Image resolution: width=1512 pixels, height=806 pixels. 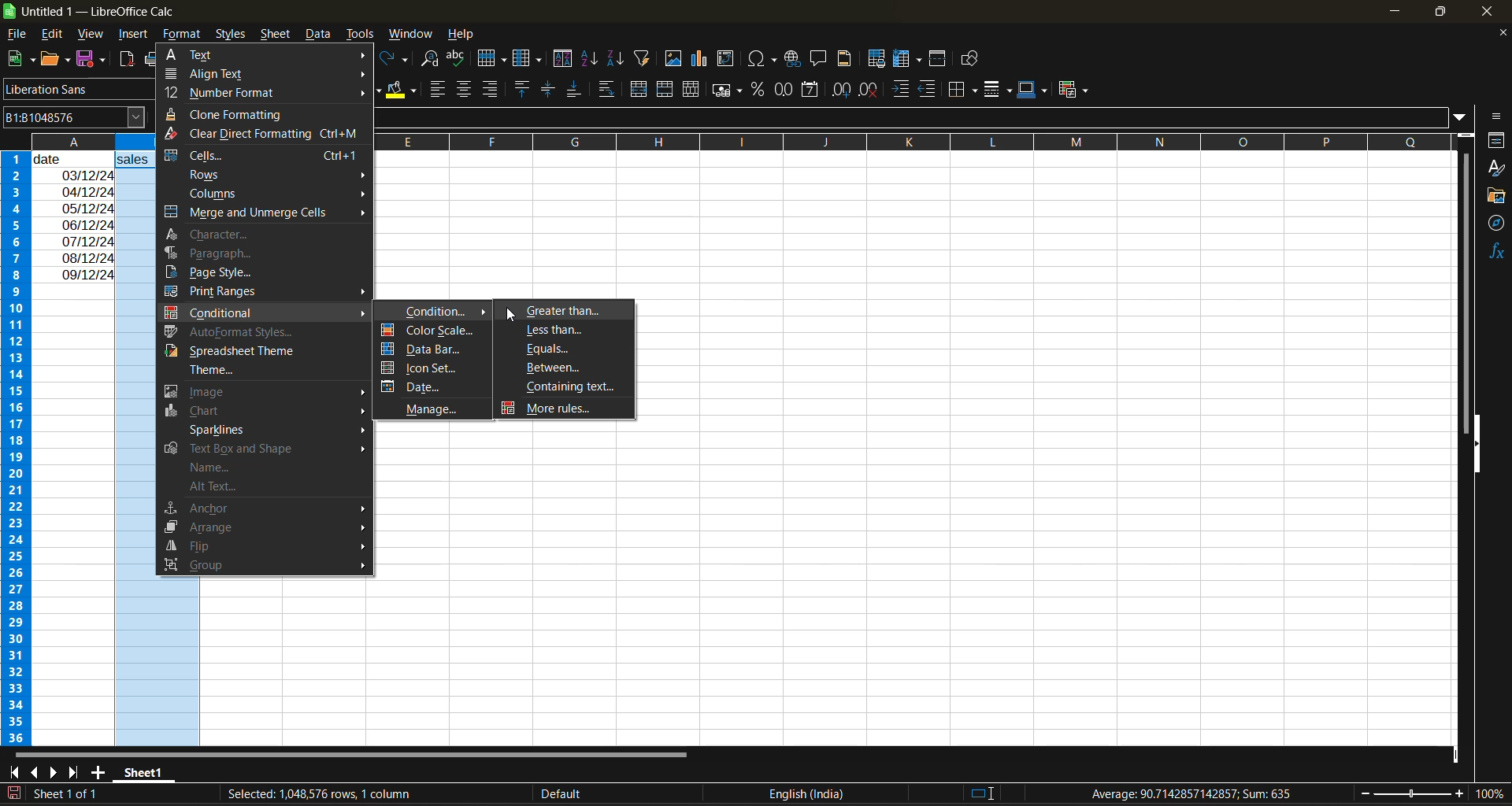 I want to click on insert image, so click(x=676, y=59).